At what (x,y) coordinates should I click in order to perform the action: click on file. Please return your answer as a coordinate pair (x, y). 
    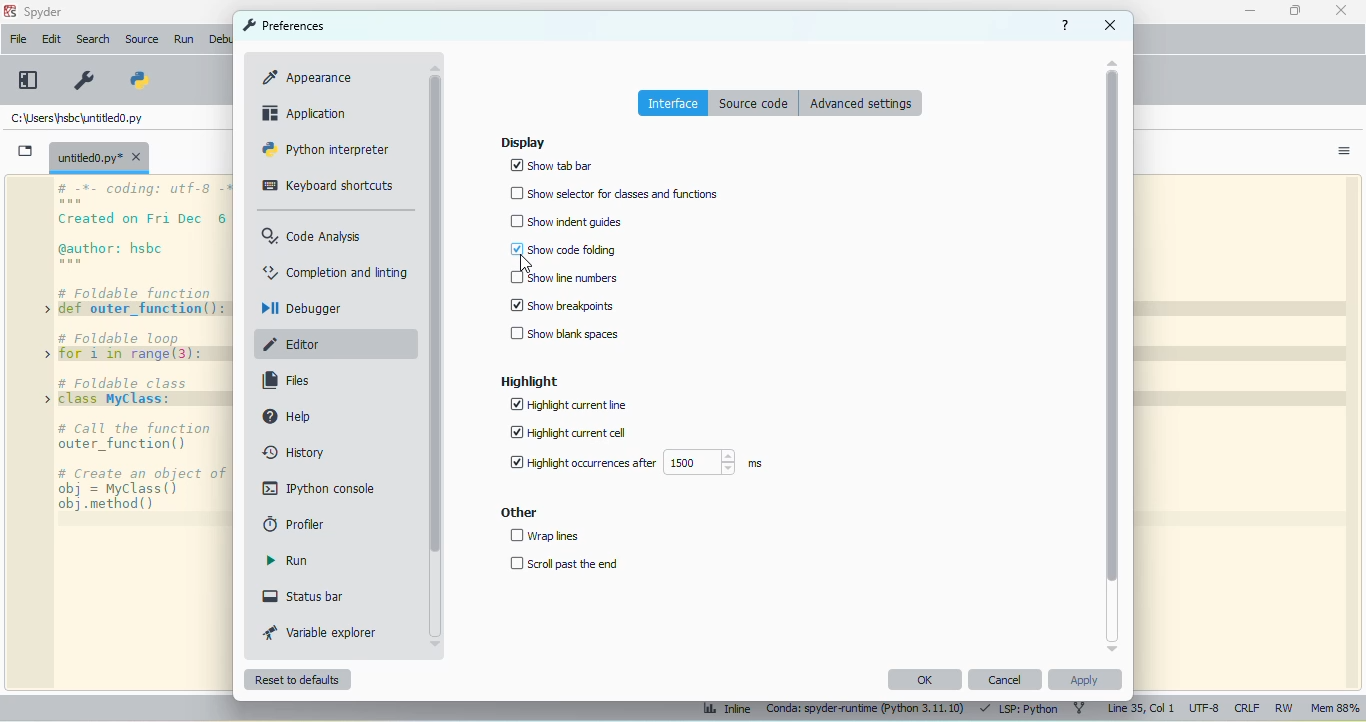
    Looking at the image, I should click on (17, 38).